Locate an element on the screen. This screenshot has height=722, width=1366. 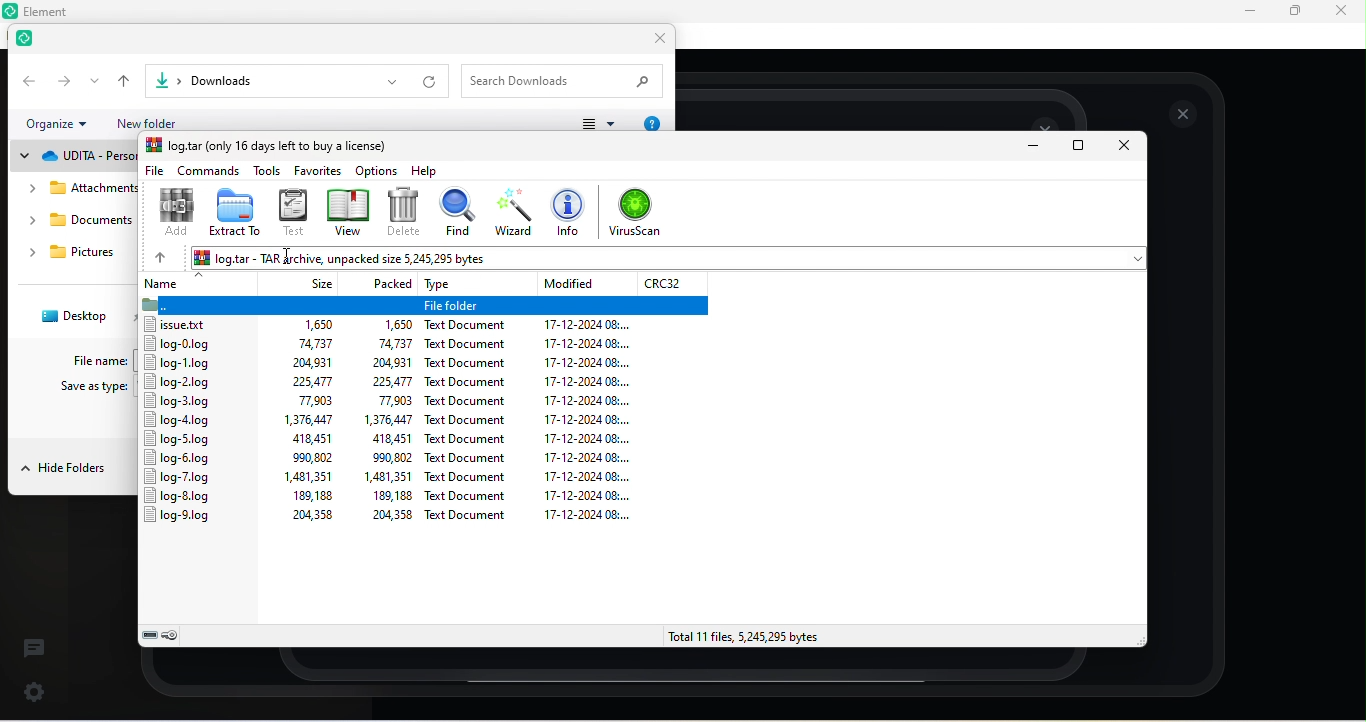
password is located at coordinates (179, 633).